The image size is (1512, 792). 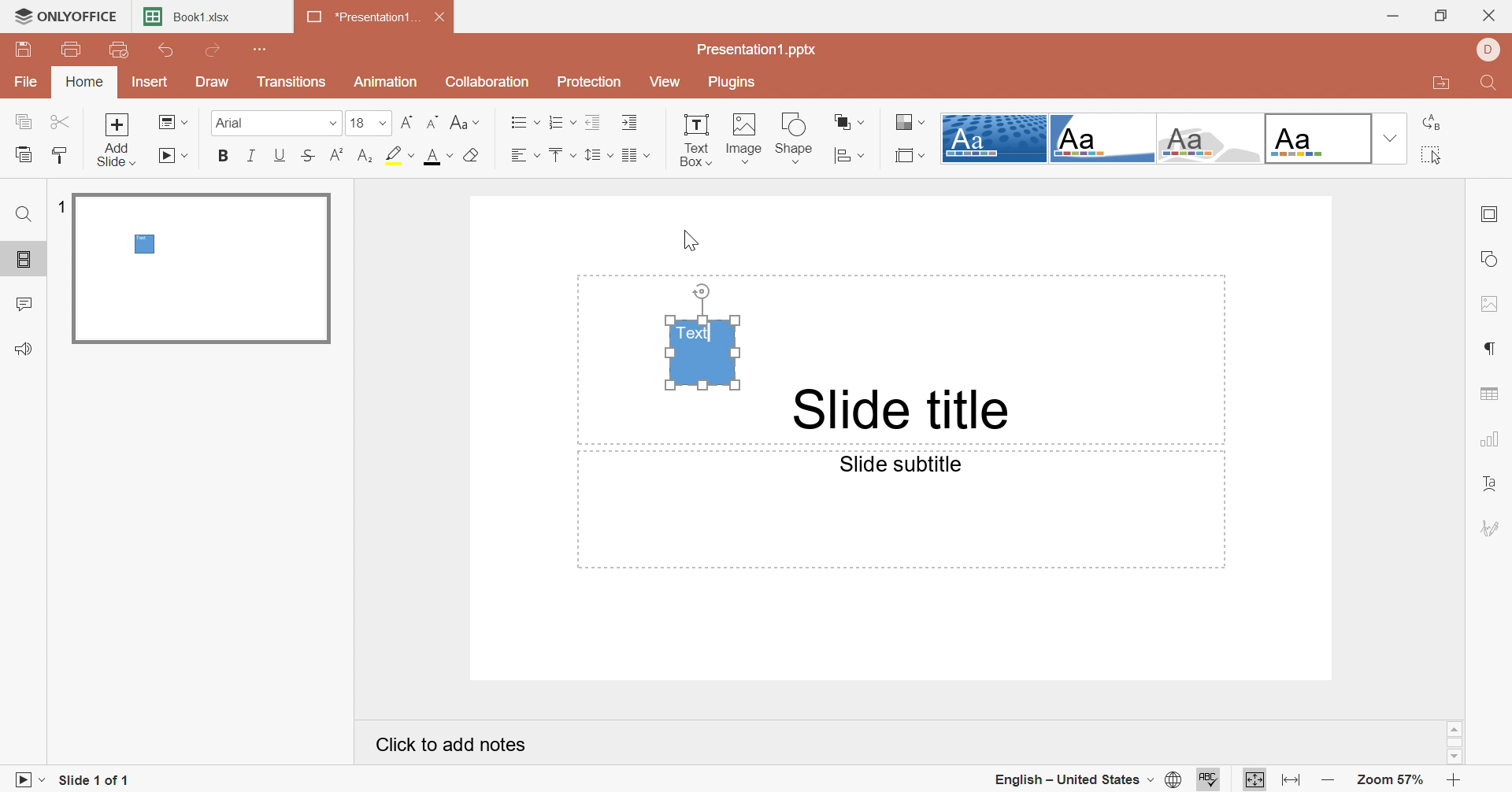 What do you see at coordinates (594, 123) in the screenshot?
I see `Decrease Indent` at bounding box center [594, 123].